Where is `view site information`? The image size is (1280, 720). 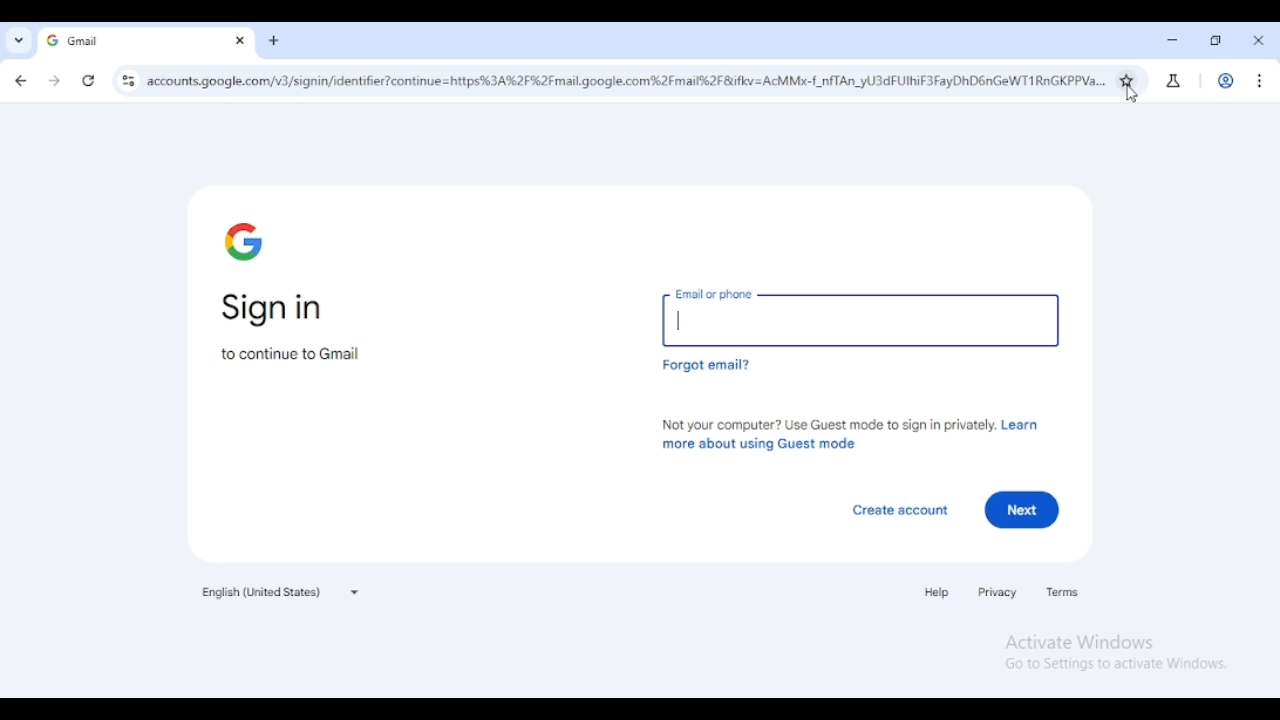
view site information is located at coordinates (127, 81).